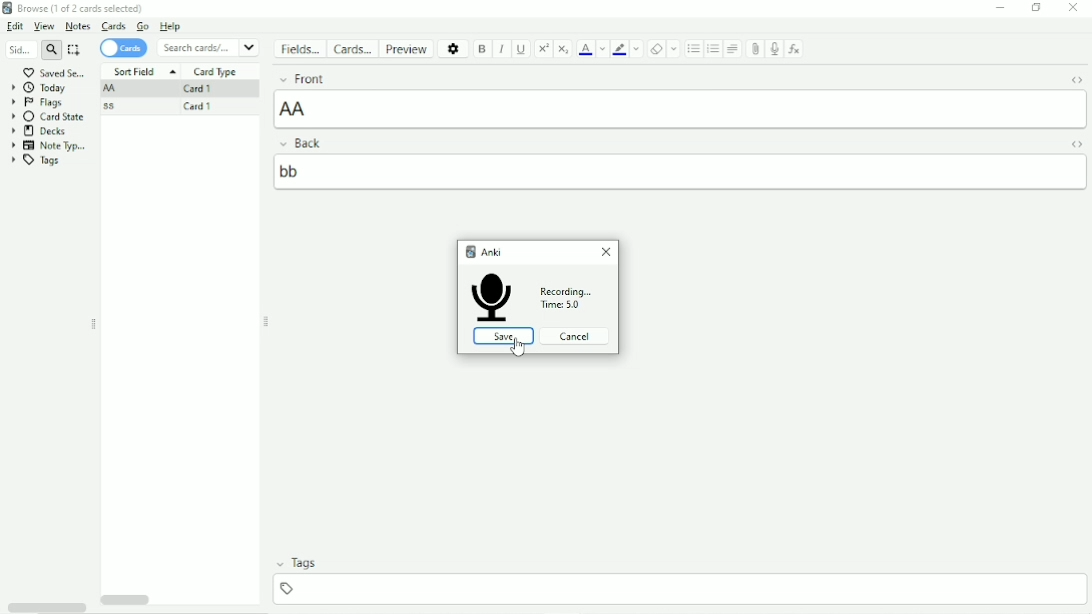 The image size is (1092, 614). I want to click on Underline, so click(522, 49).